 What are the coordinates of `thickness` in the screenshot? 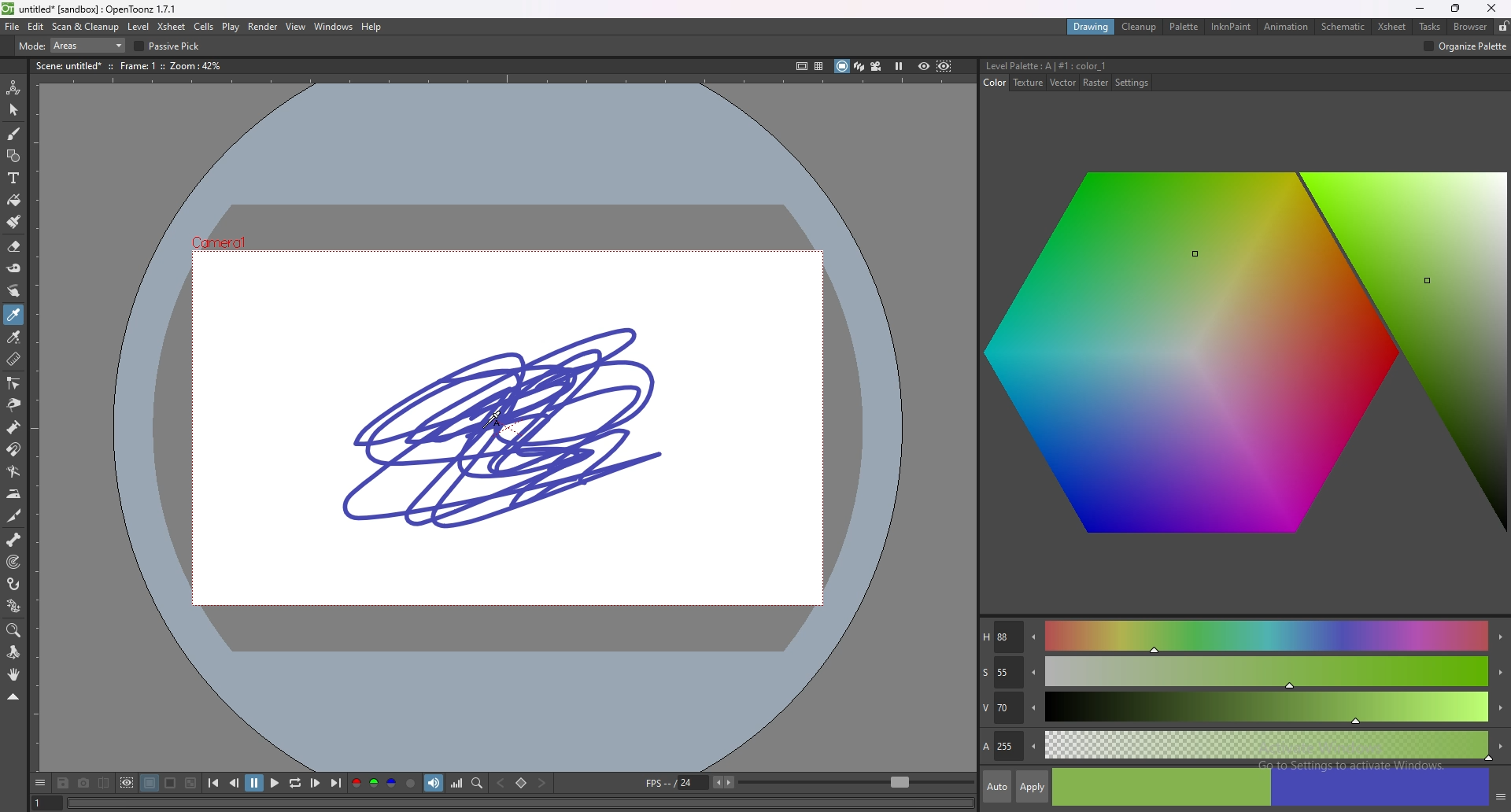 It's located at (1131, 45).